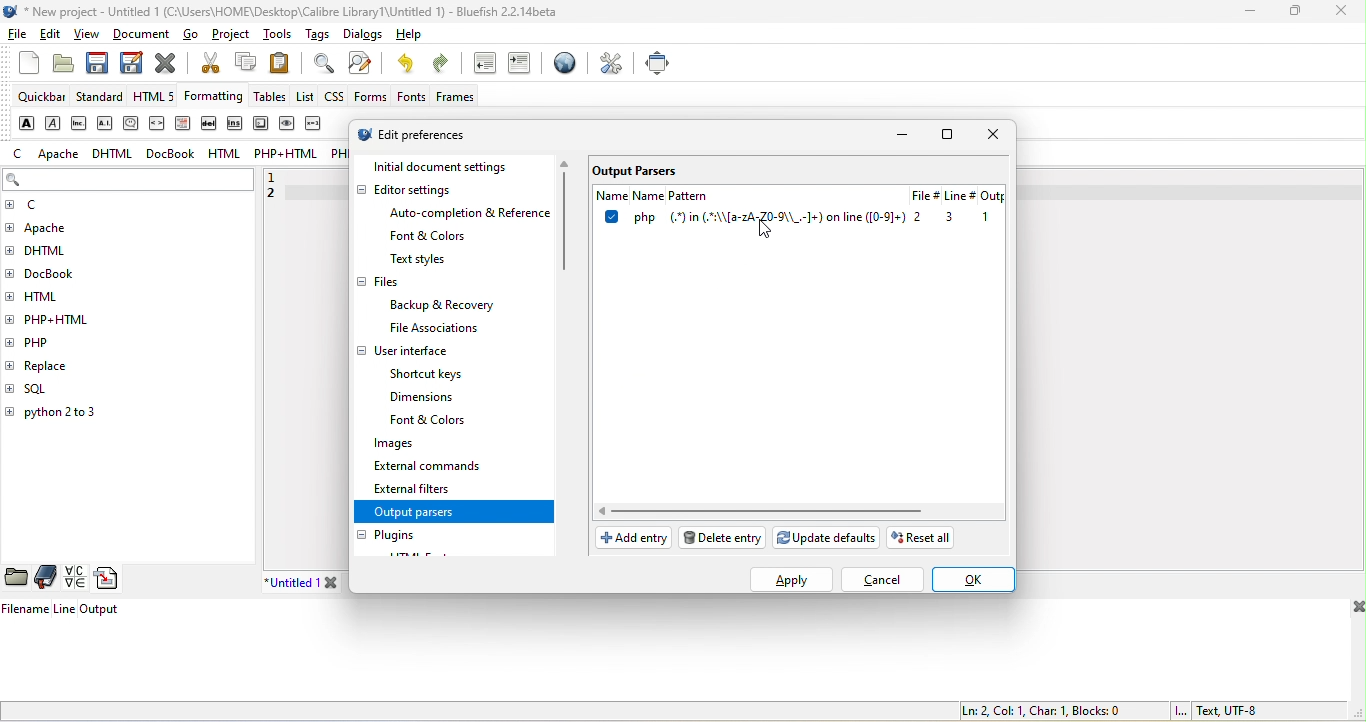 Image resolution: width=1366 pixels, height=722 pixels. I want to click on abbreviation, so click(81, 122).